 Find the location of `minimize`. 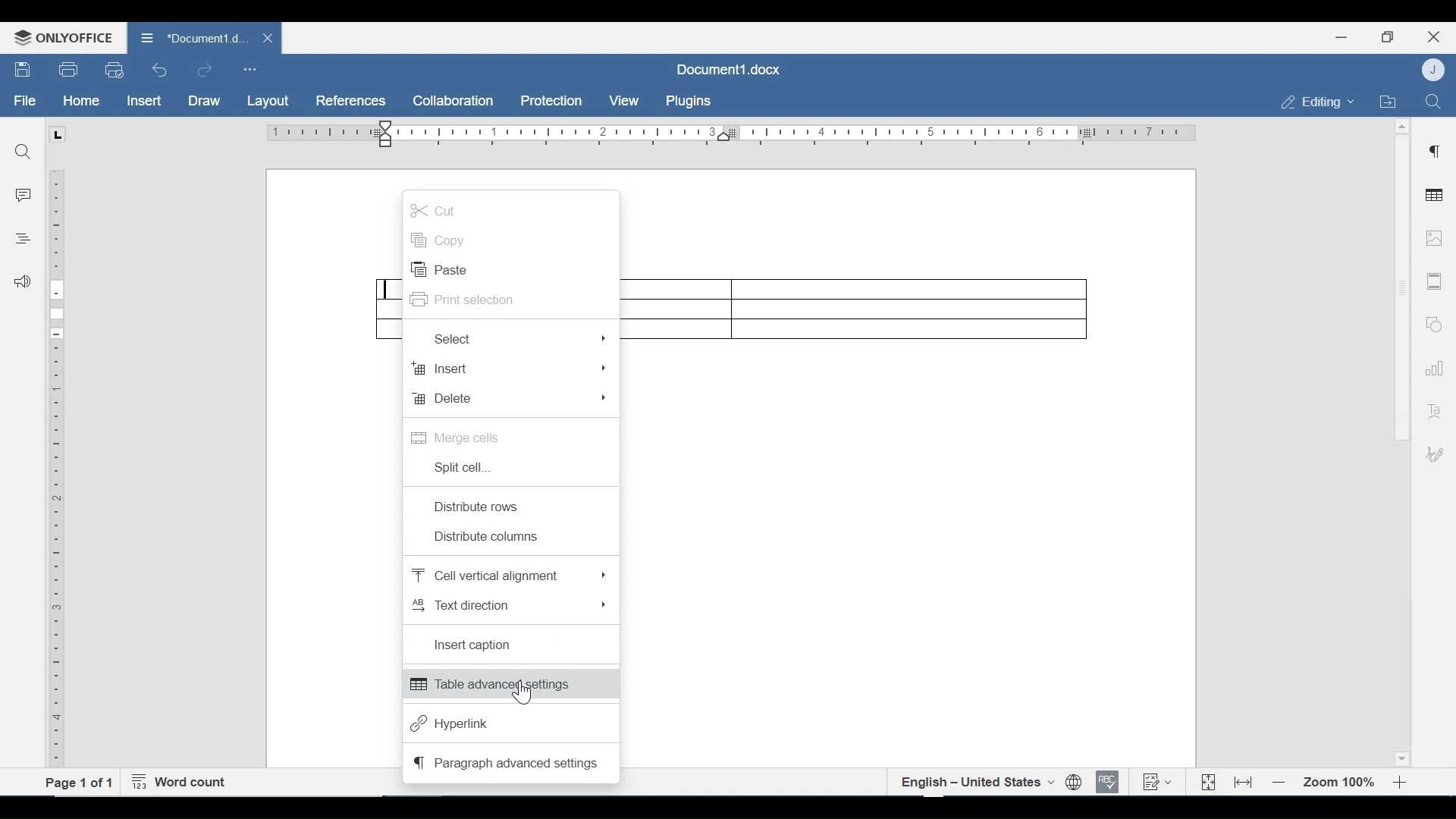

minimize is located at coordinates (1341, 36).